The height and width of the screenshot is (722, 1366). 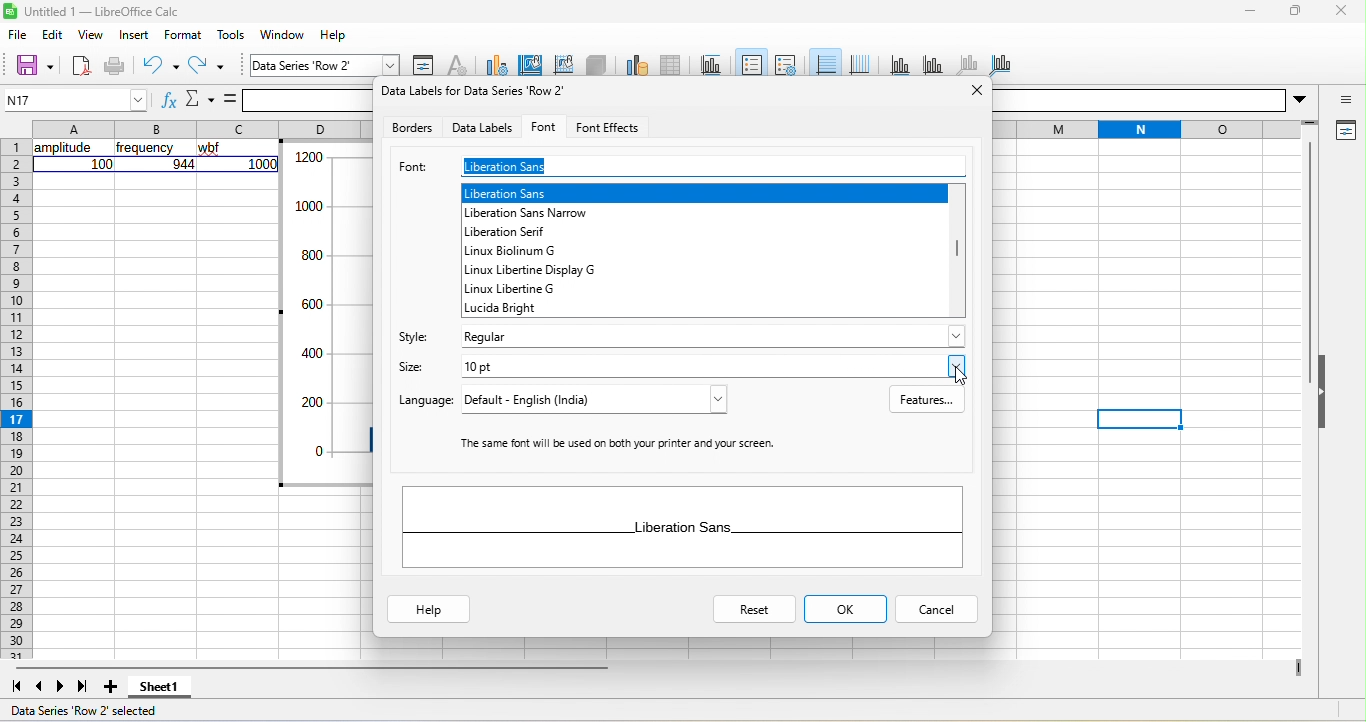 I want to click on data range, so click(x=637, y=64).